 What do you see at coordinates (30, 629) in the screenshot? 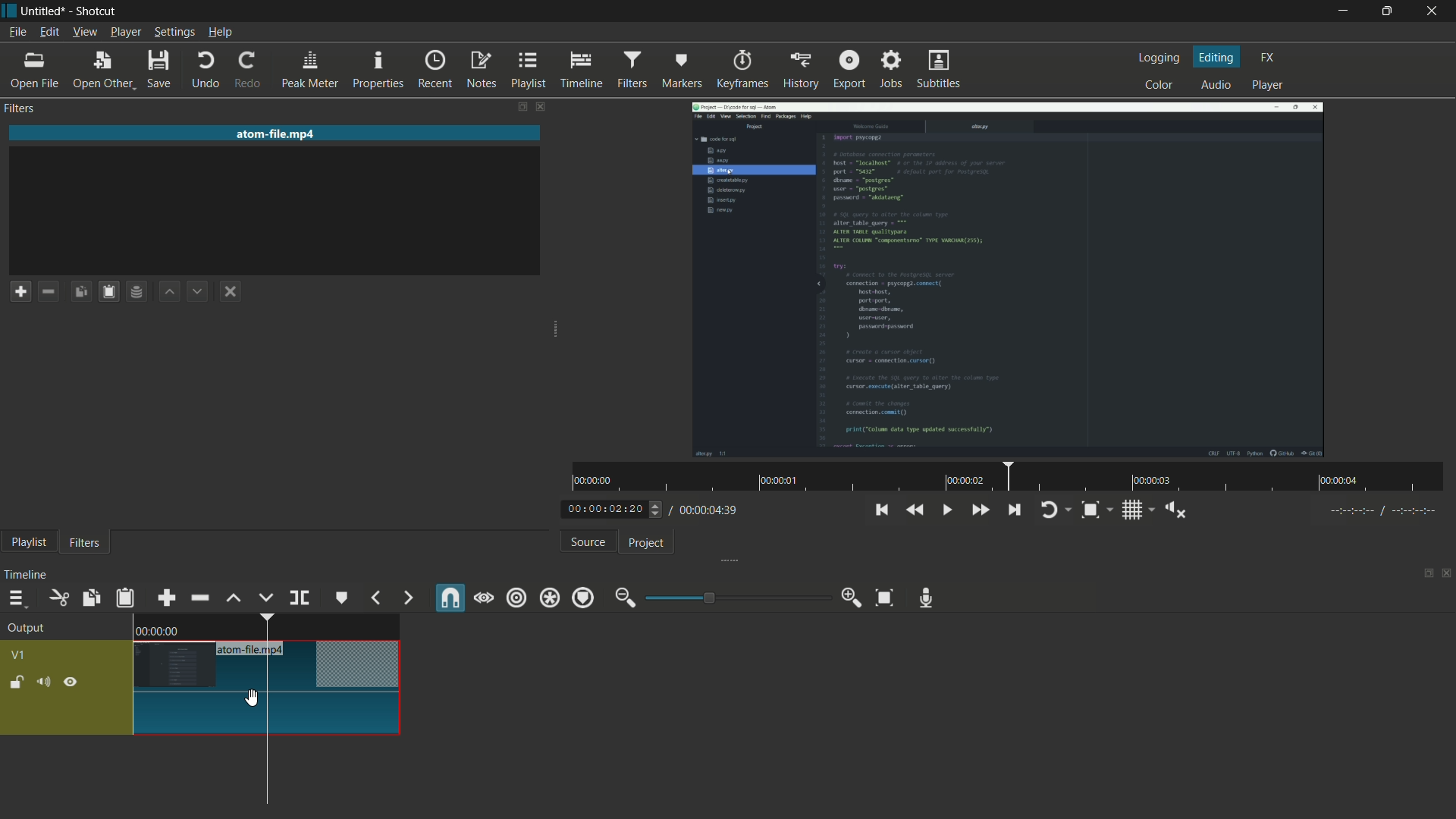
I see `output` at bounding box center [30, 629].